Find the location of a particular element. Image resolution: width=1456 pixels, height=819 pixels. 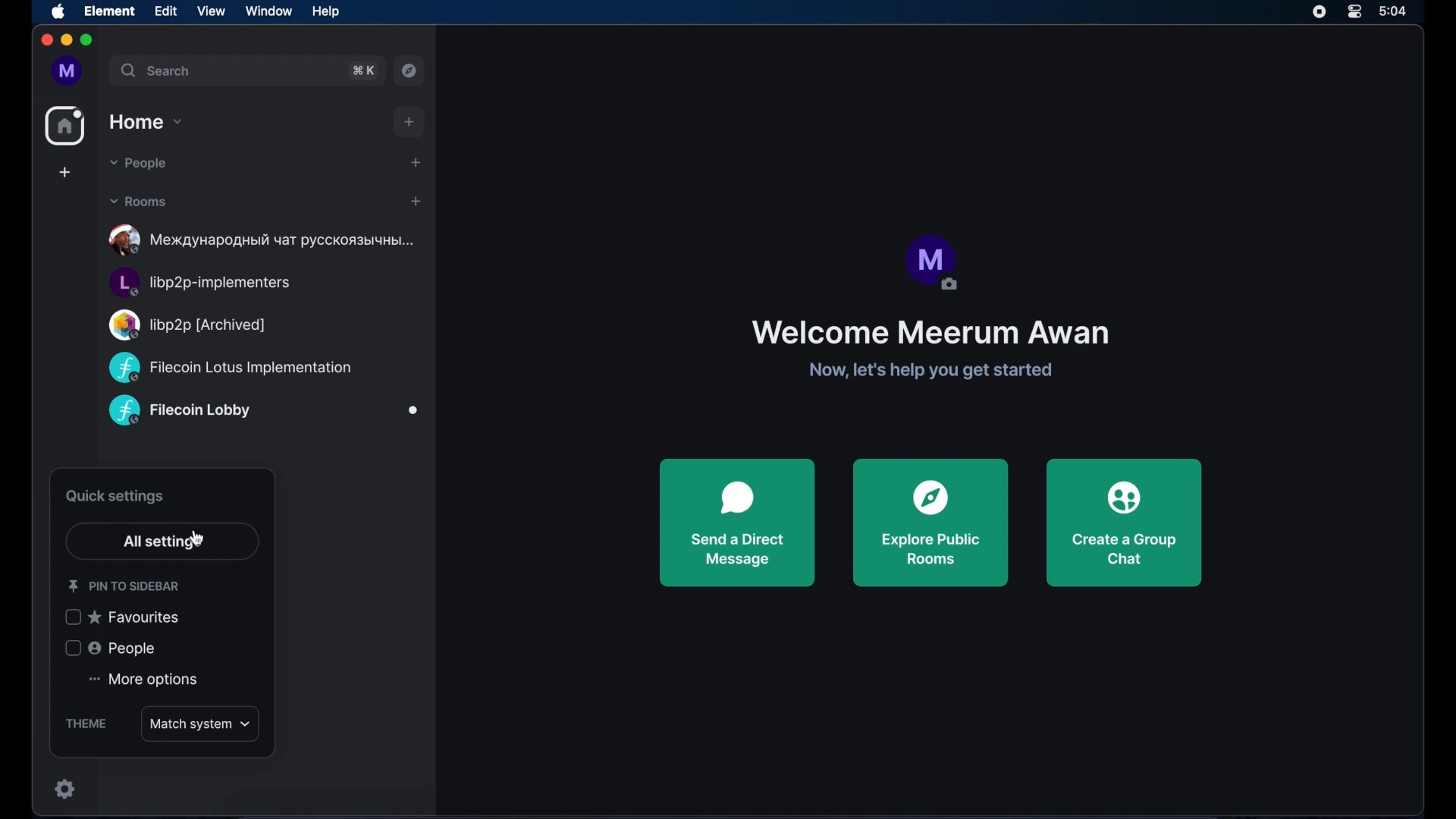

home drop down is located at coordinates (146, 122).